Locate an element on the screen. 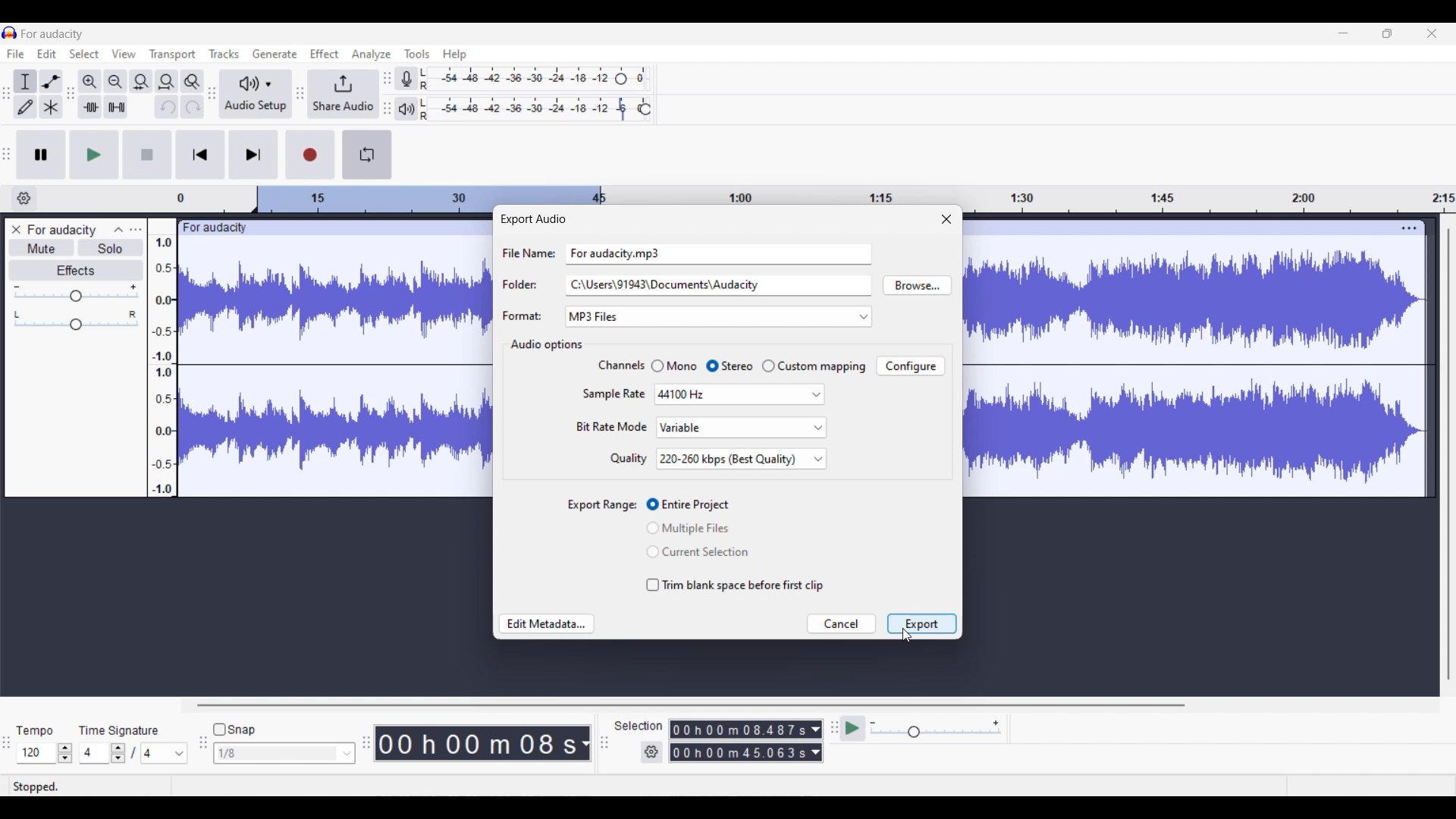 The image size is (1456, 819). Effect menu is located at coordinates (324, 53).